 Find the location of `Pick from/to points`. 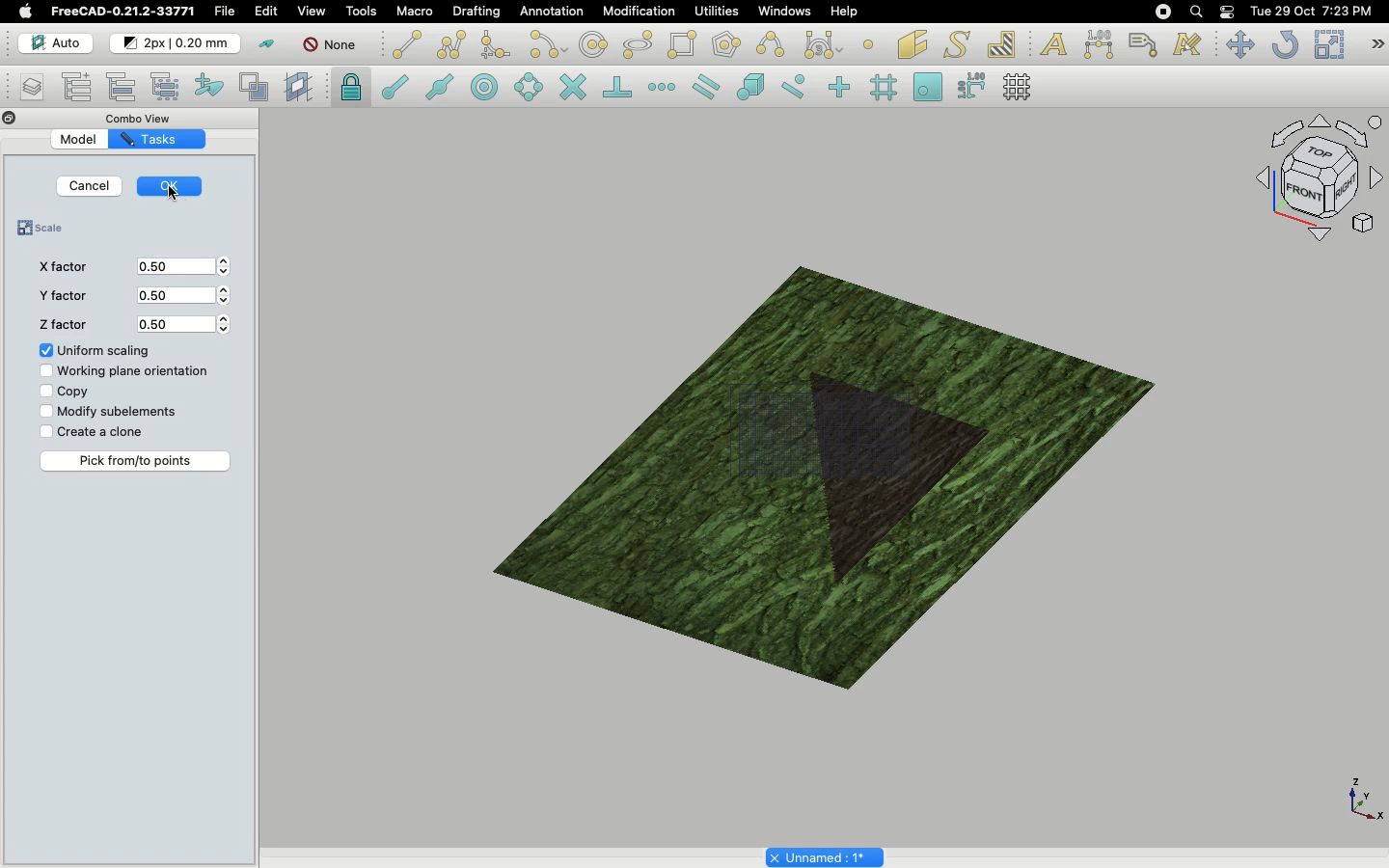

Pick from/to points is located at coordinates (137, 461).